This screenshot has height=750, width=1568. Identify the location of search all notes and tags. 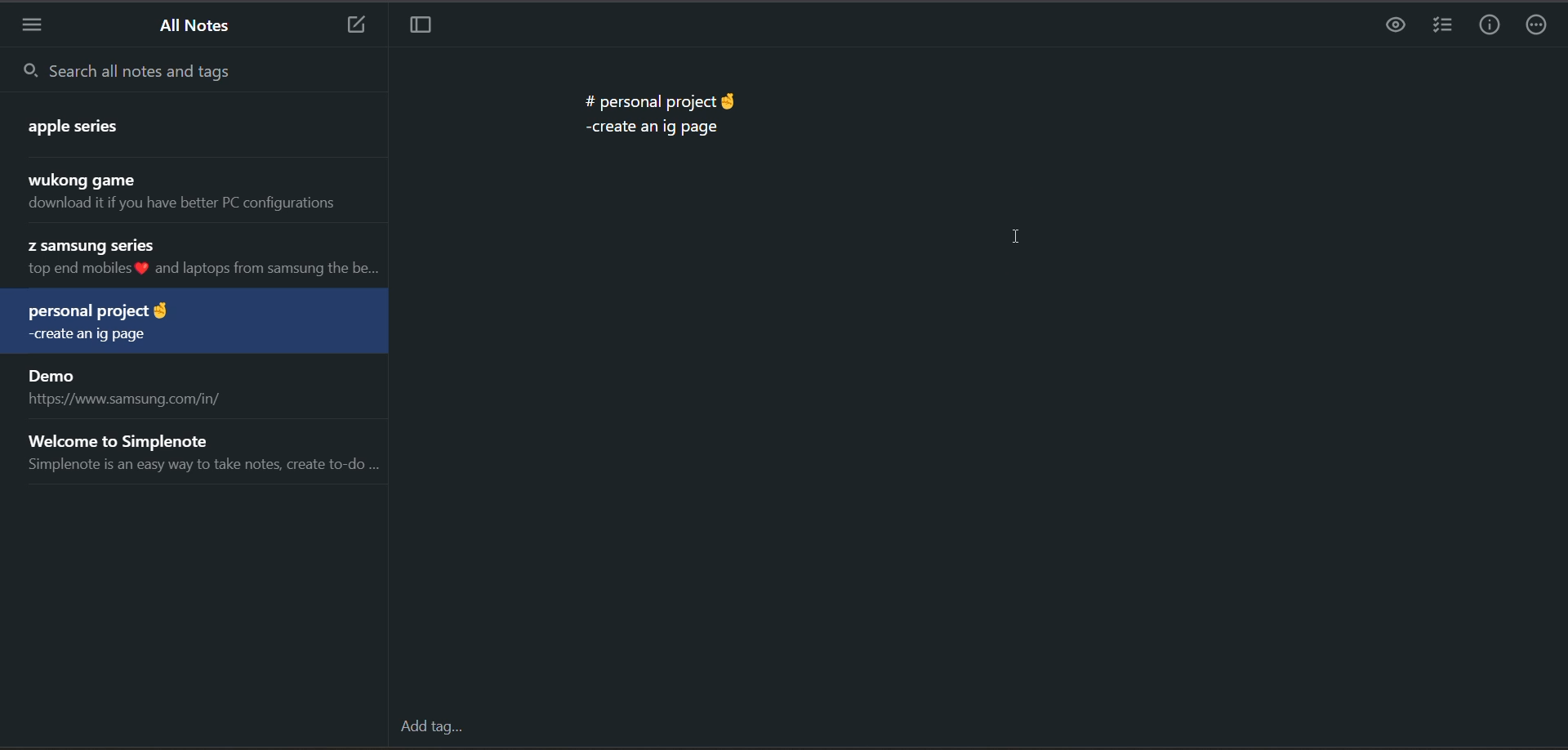
(202, 74).